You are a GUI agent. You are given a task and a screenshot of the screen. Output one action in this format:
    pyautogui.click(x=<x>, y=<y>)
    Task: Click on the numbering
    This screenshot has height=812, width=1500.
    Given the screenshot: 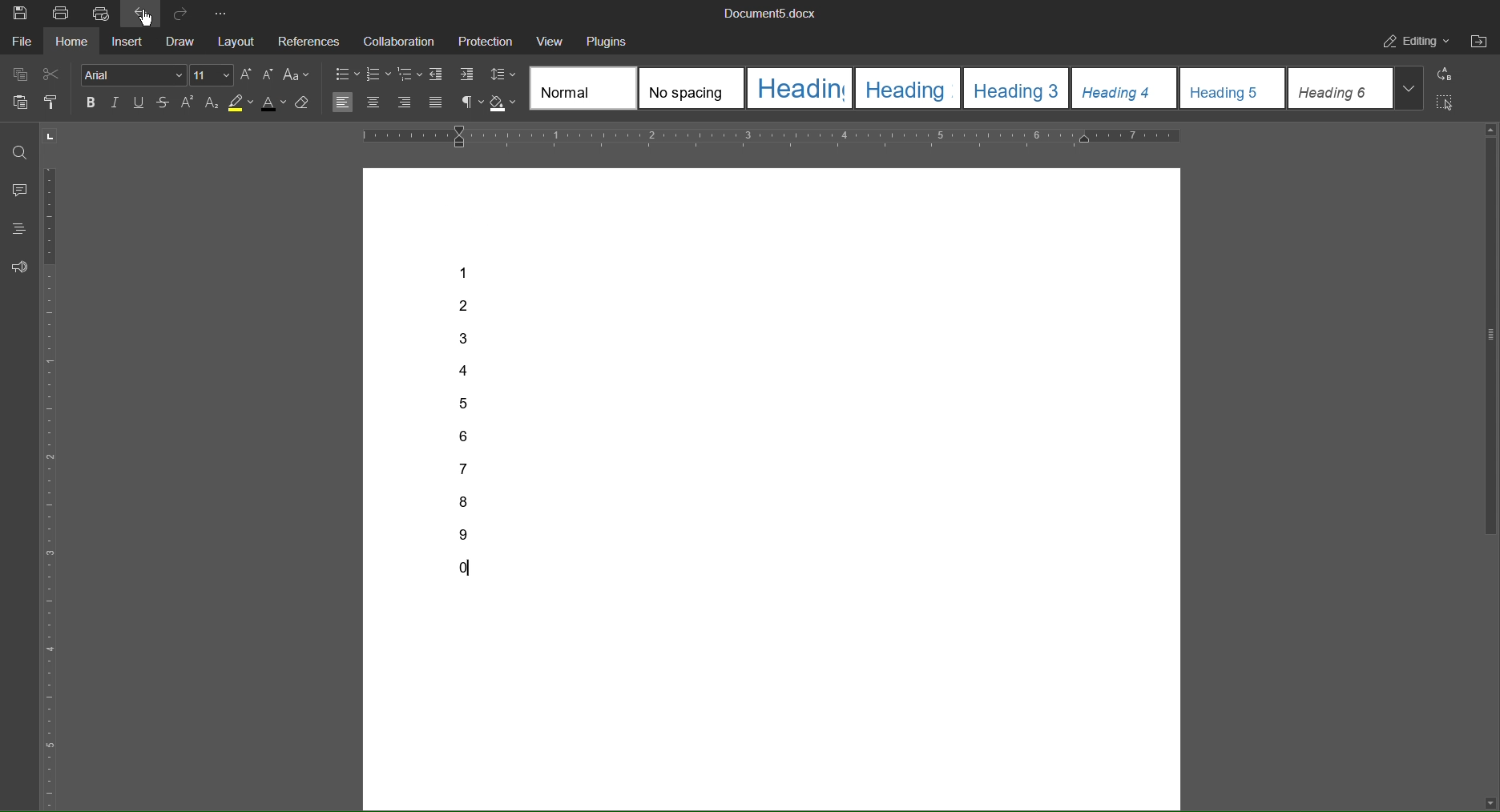 What is the action you would take?
    pyautogui.click(x=379, y=75)
    